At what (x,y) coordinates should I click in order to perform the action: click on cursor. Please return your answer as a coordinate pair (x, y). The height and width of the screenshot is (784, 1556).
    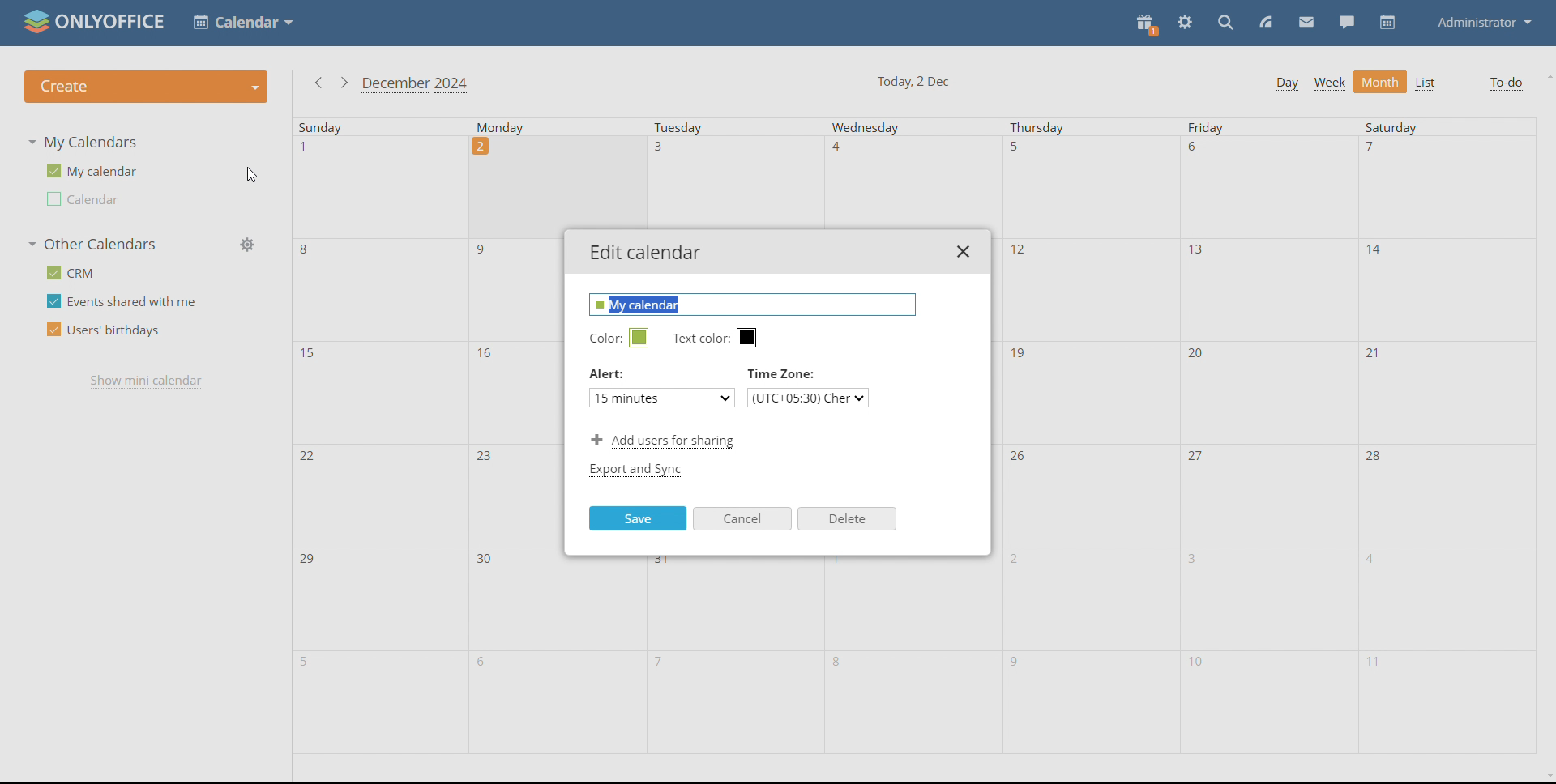
    Looking at the image, I should click on (250, 178).